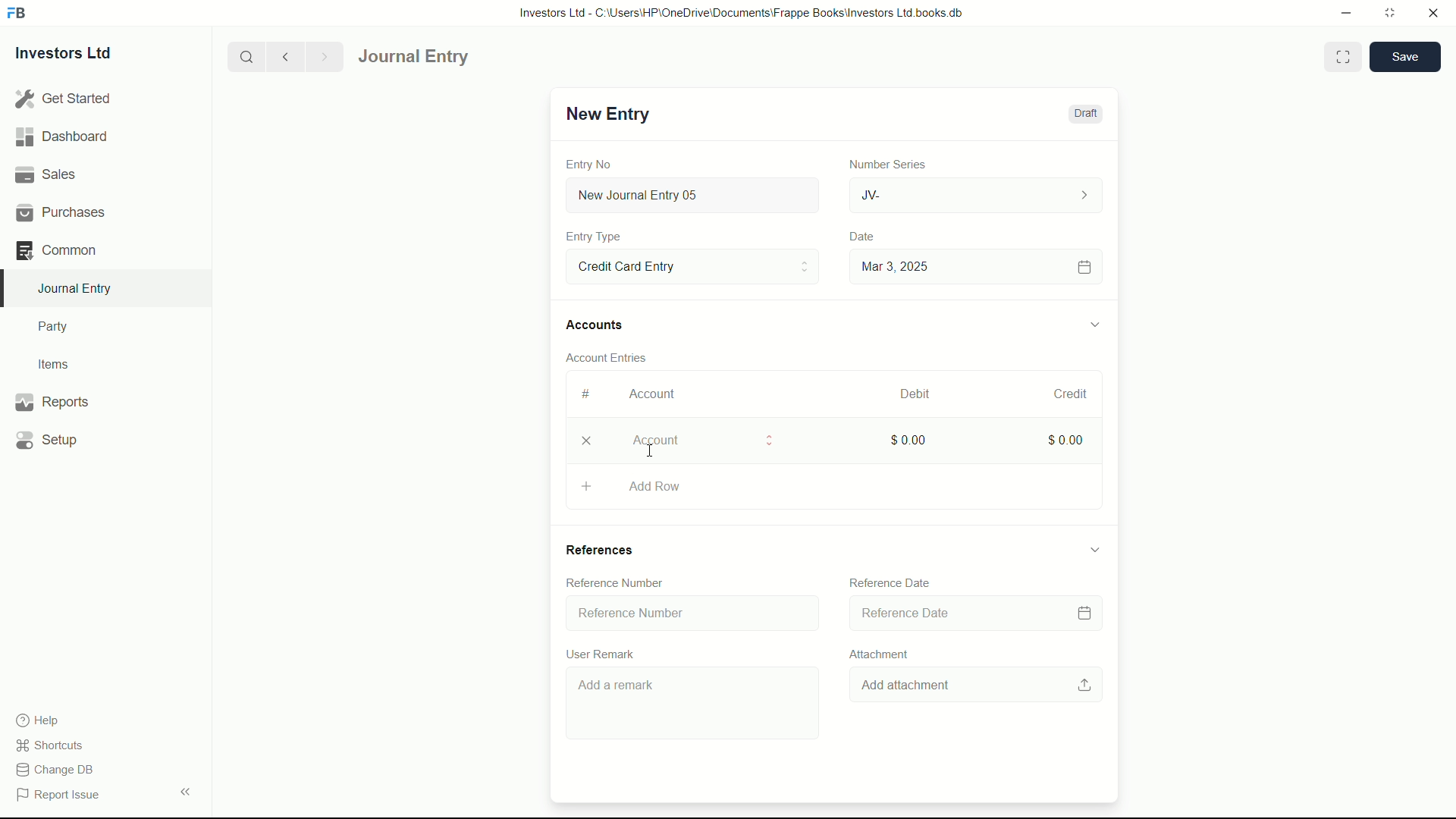 This screenshot has width=1456, height=819. Describe the element at coordinates (875, 653) in the screenshot. I see `Attachment` at that location.